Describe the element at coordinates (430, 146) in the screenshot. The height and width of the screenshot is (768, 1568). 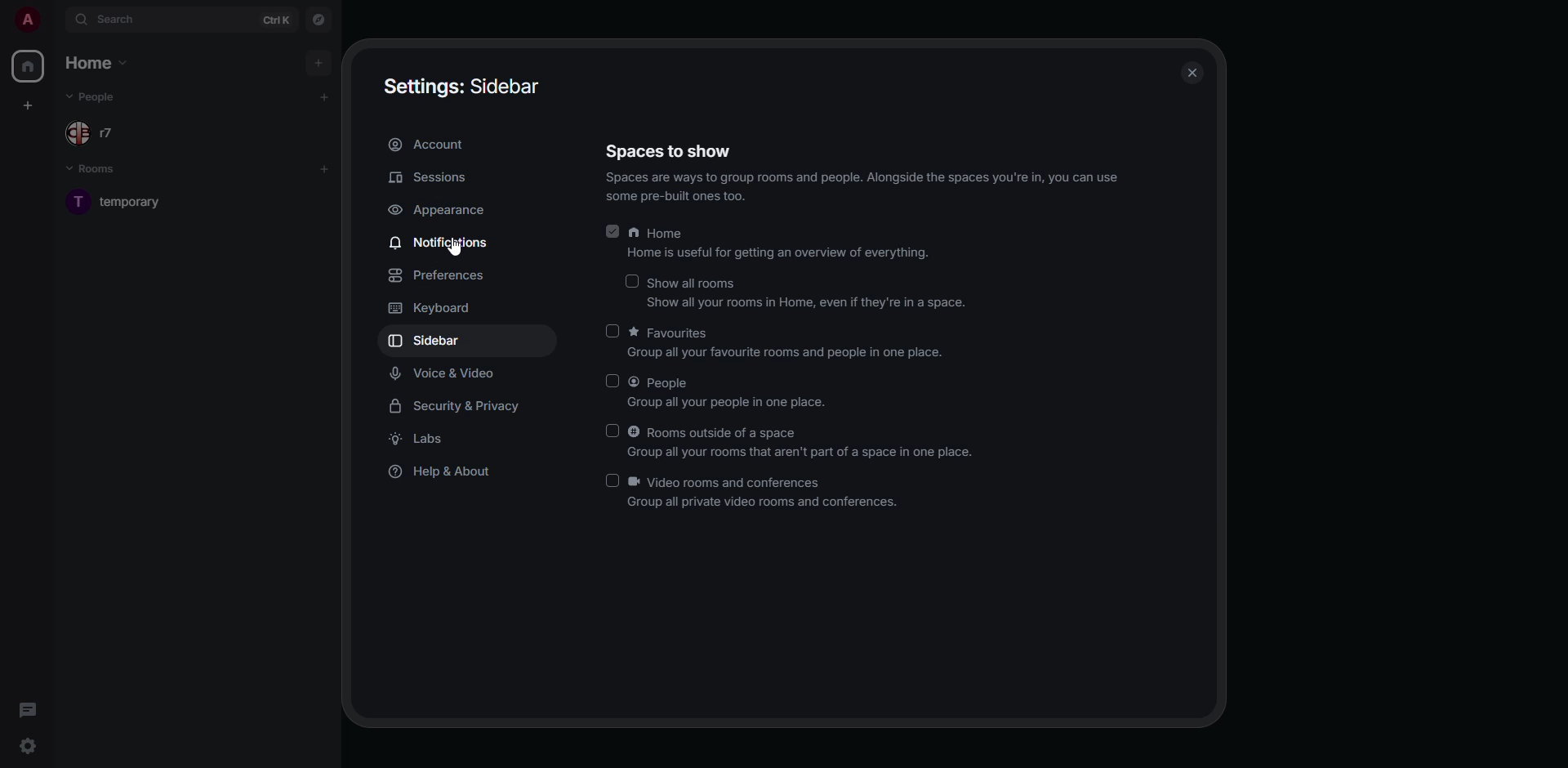
I see `account` at that location.